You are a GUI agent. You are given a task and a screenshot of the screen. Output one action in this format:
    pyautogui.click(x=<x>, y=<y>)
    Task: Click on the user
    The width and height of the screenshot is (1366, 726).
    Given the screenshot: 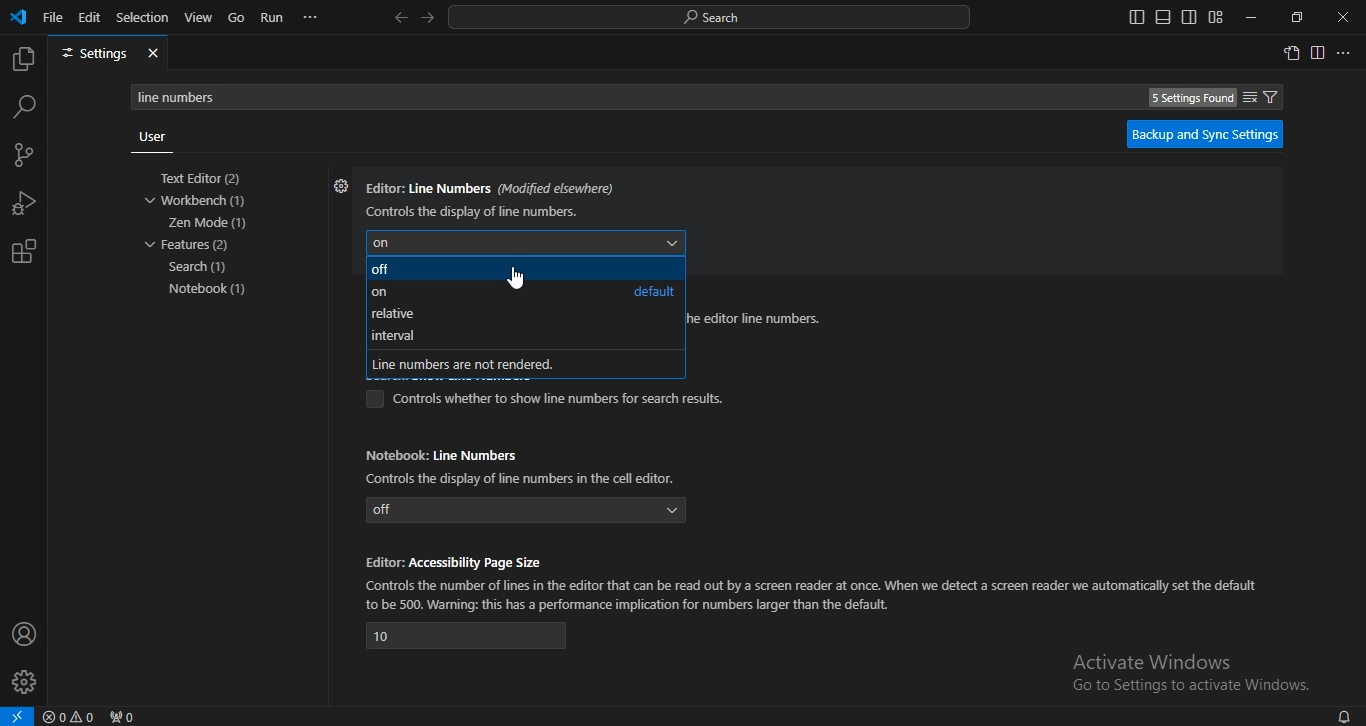 What is the action you would take?
    pyautogui.click(x=152, y=139)
    